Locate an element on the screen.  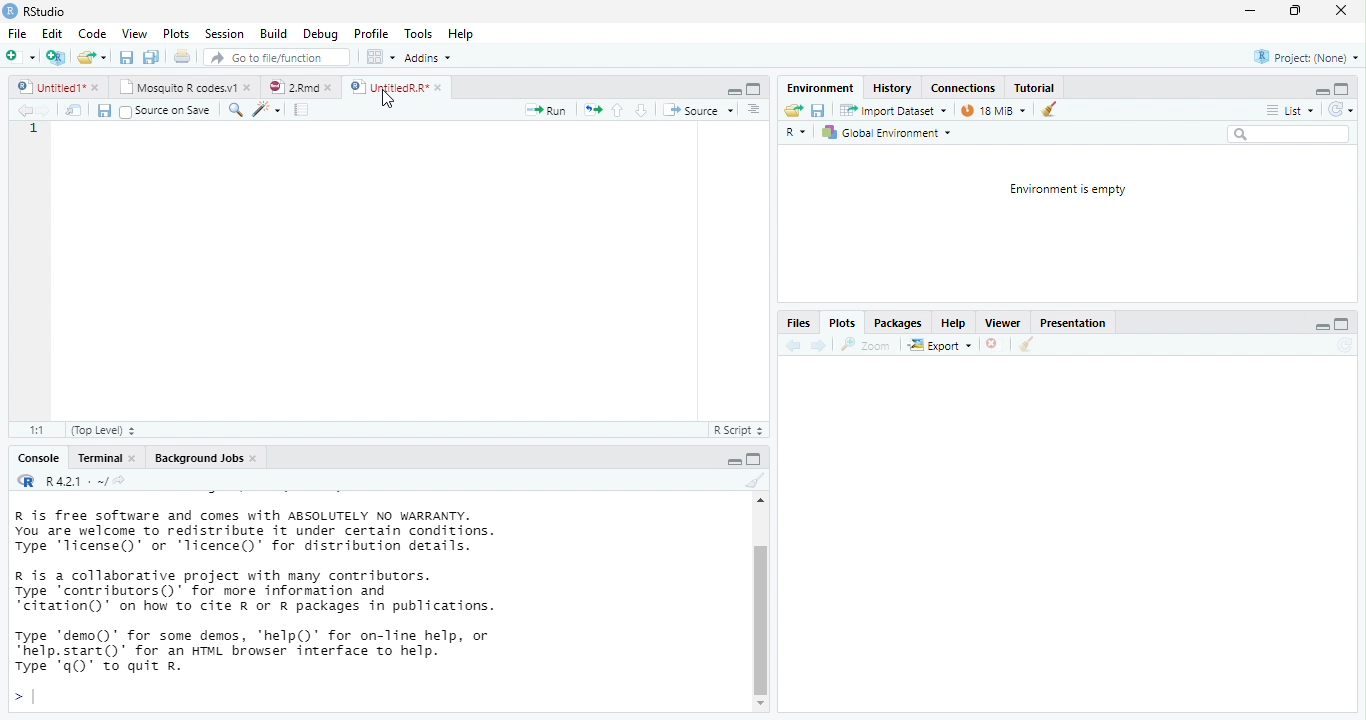
close is located at coordinates (332, 88).